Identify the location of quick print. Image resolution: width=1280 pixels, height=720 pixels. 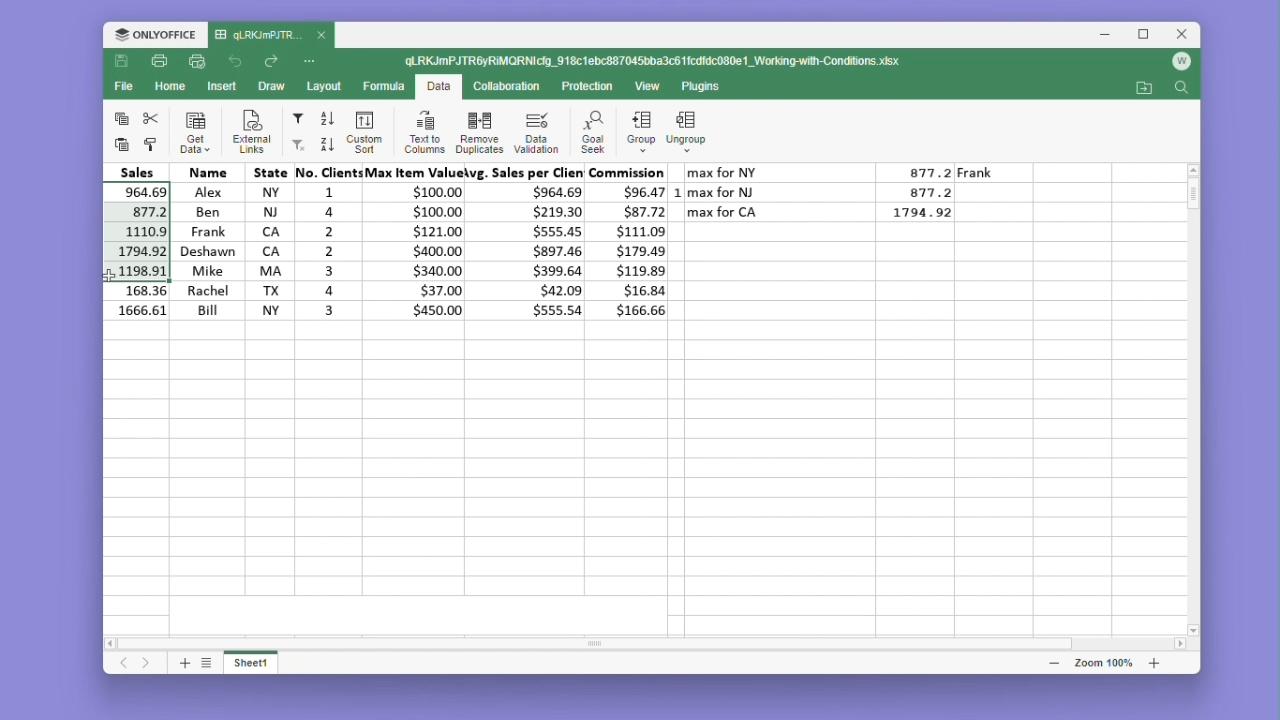
(198, 62).